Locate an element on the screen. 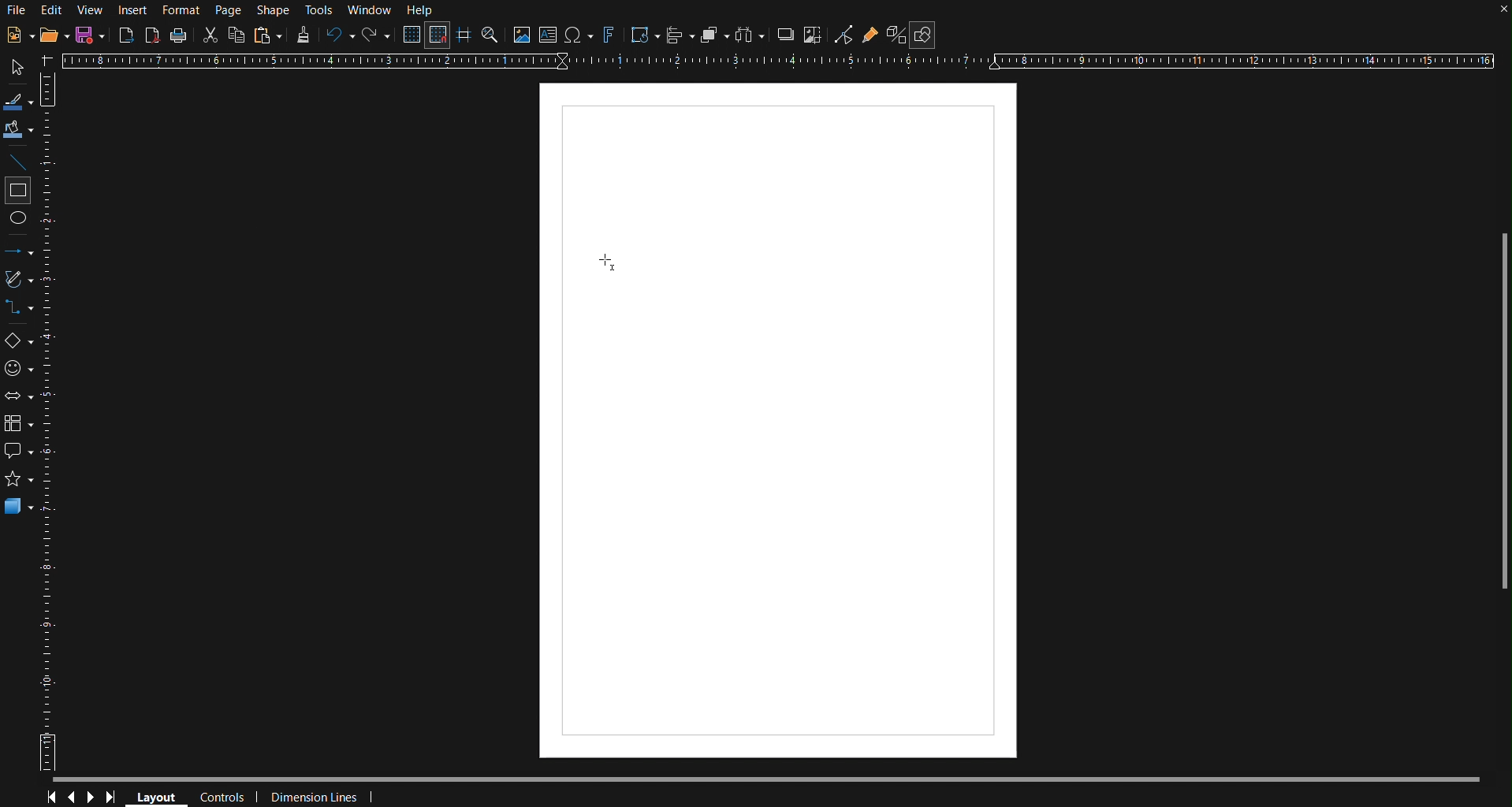 This screenshot has width=1512, height=807. Lines and Arrows is located at coordinates (20, 251).